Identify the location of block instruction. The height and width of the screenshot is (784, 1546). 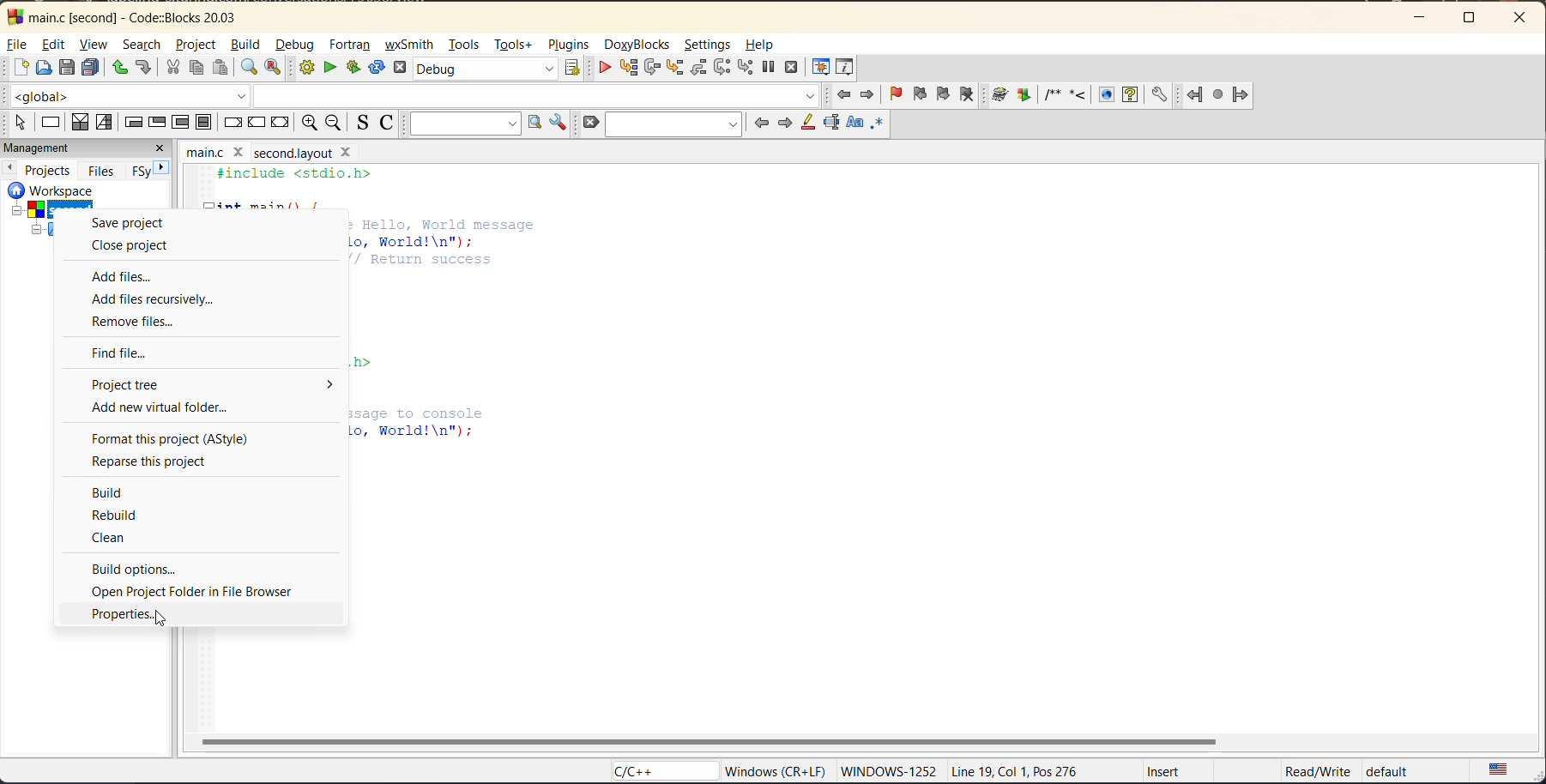
(205, 124).